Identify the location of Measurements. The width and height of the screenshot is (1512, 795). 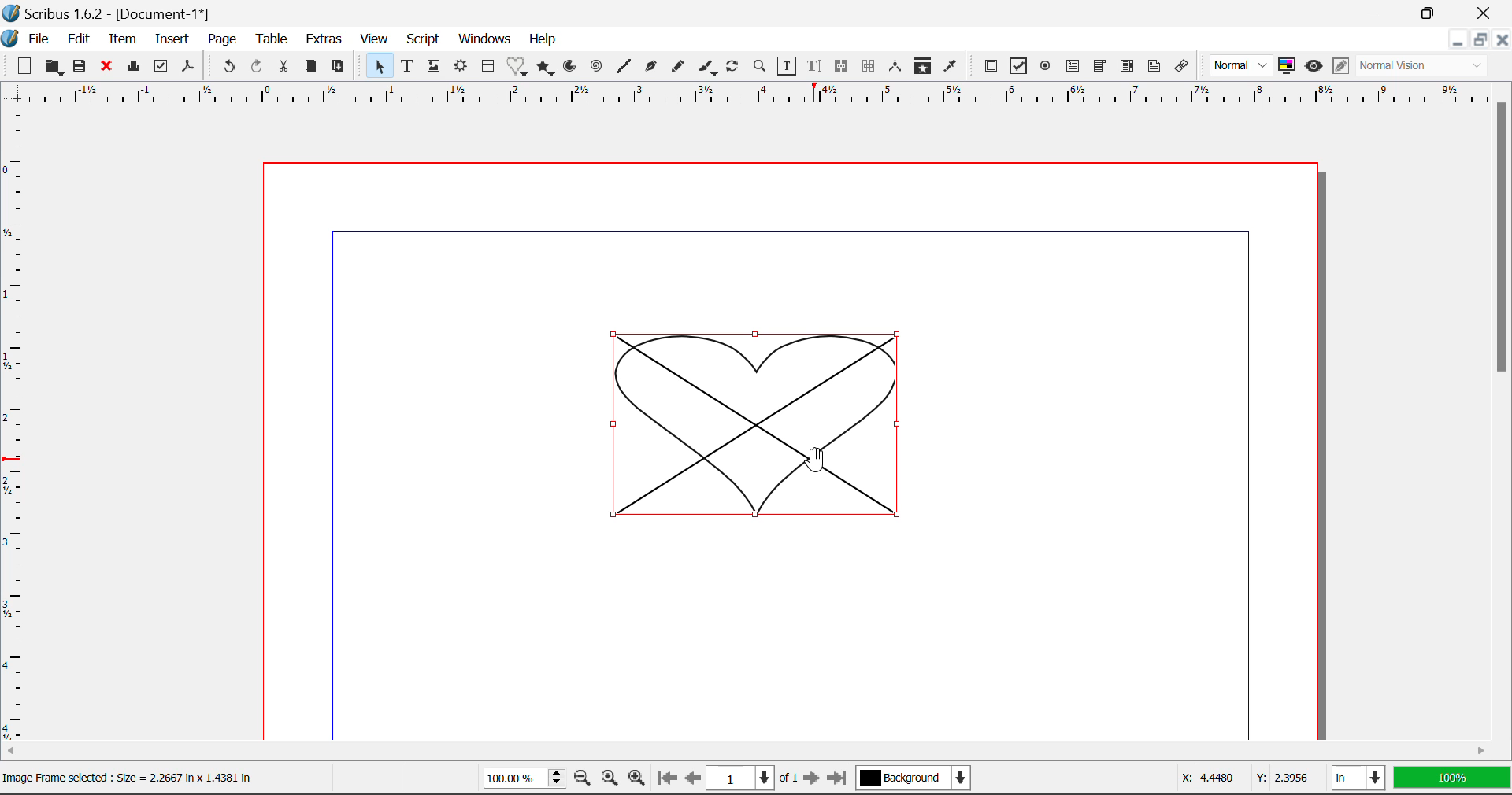
(897, 67).